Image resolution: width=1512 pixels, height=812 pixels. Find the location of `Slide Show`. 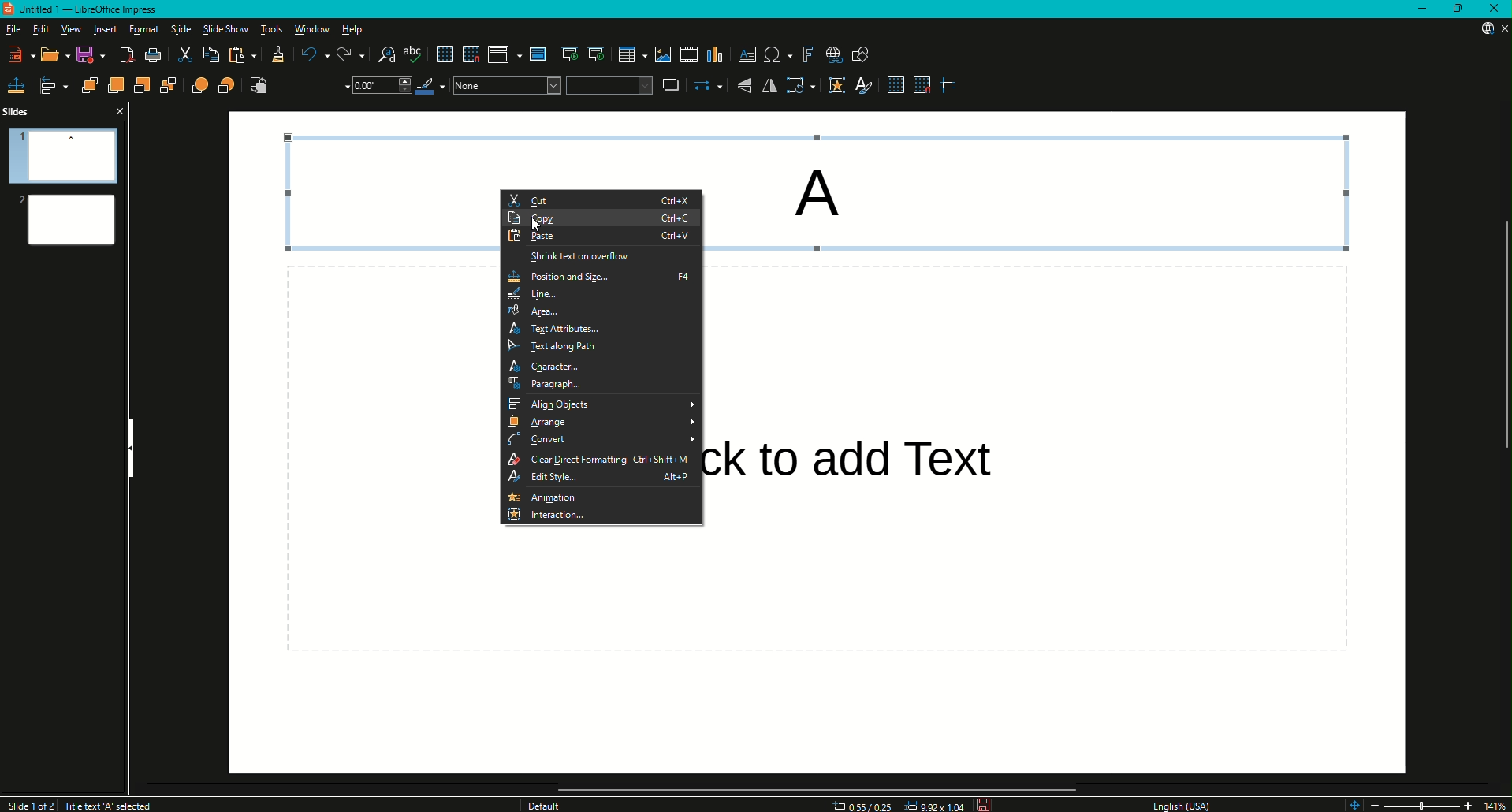

Slide Show is located at coordinates (226, 30).